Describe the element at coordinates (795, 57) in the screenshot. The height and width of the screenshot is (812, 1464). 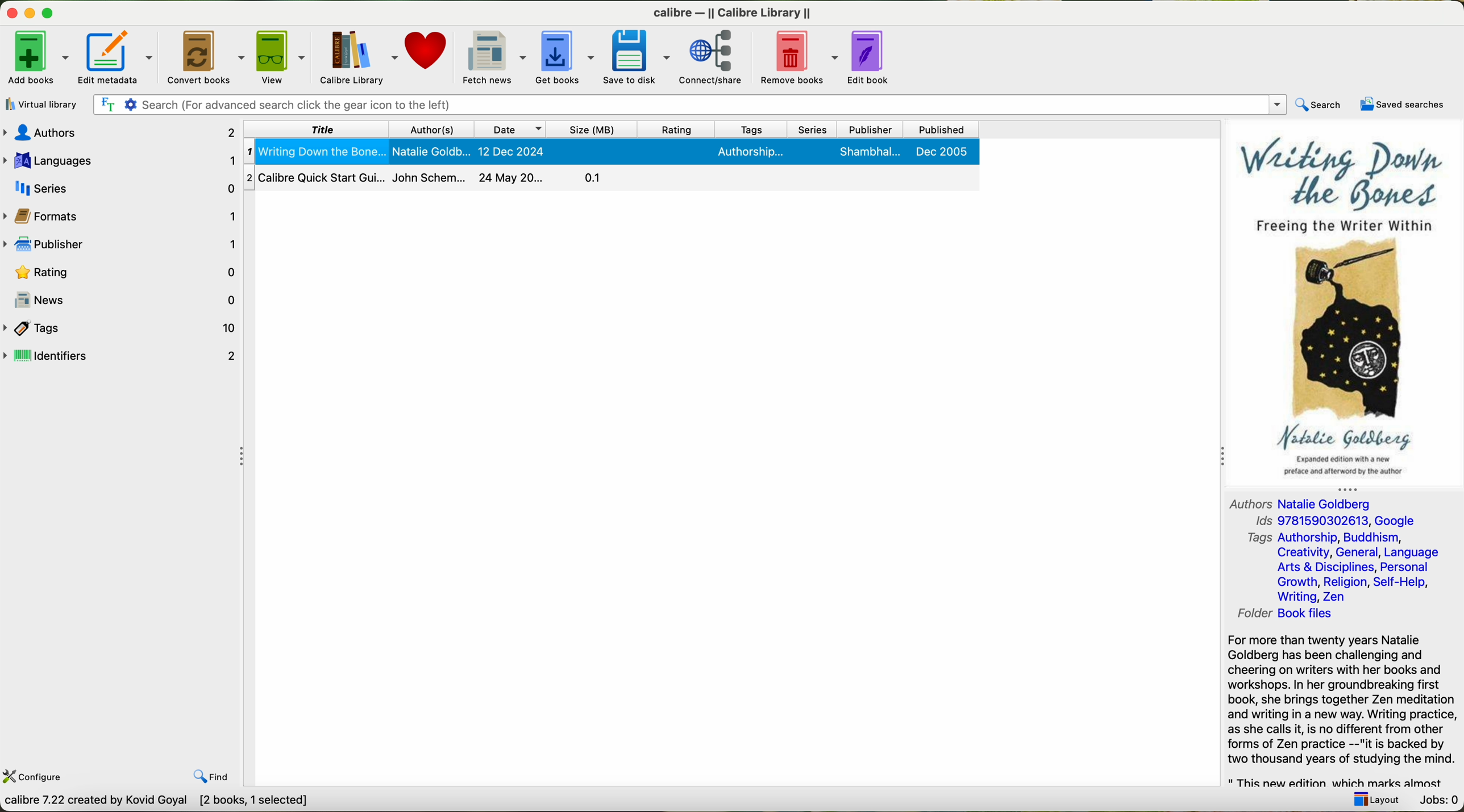
I see `remove books` at that location.